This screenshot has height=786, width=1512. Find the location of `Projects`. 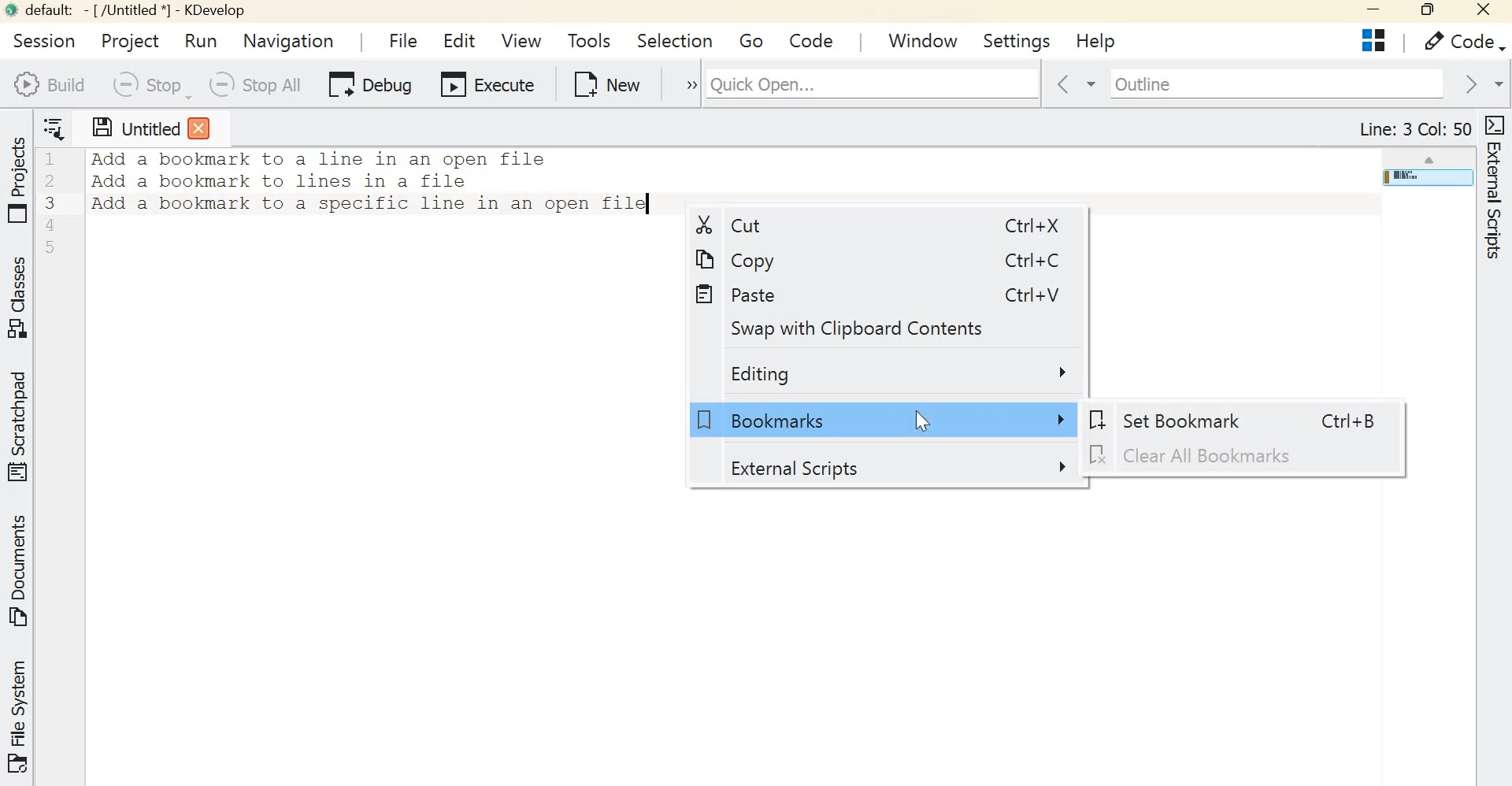

Projects is located at coordinates (18, 180).